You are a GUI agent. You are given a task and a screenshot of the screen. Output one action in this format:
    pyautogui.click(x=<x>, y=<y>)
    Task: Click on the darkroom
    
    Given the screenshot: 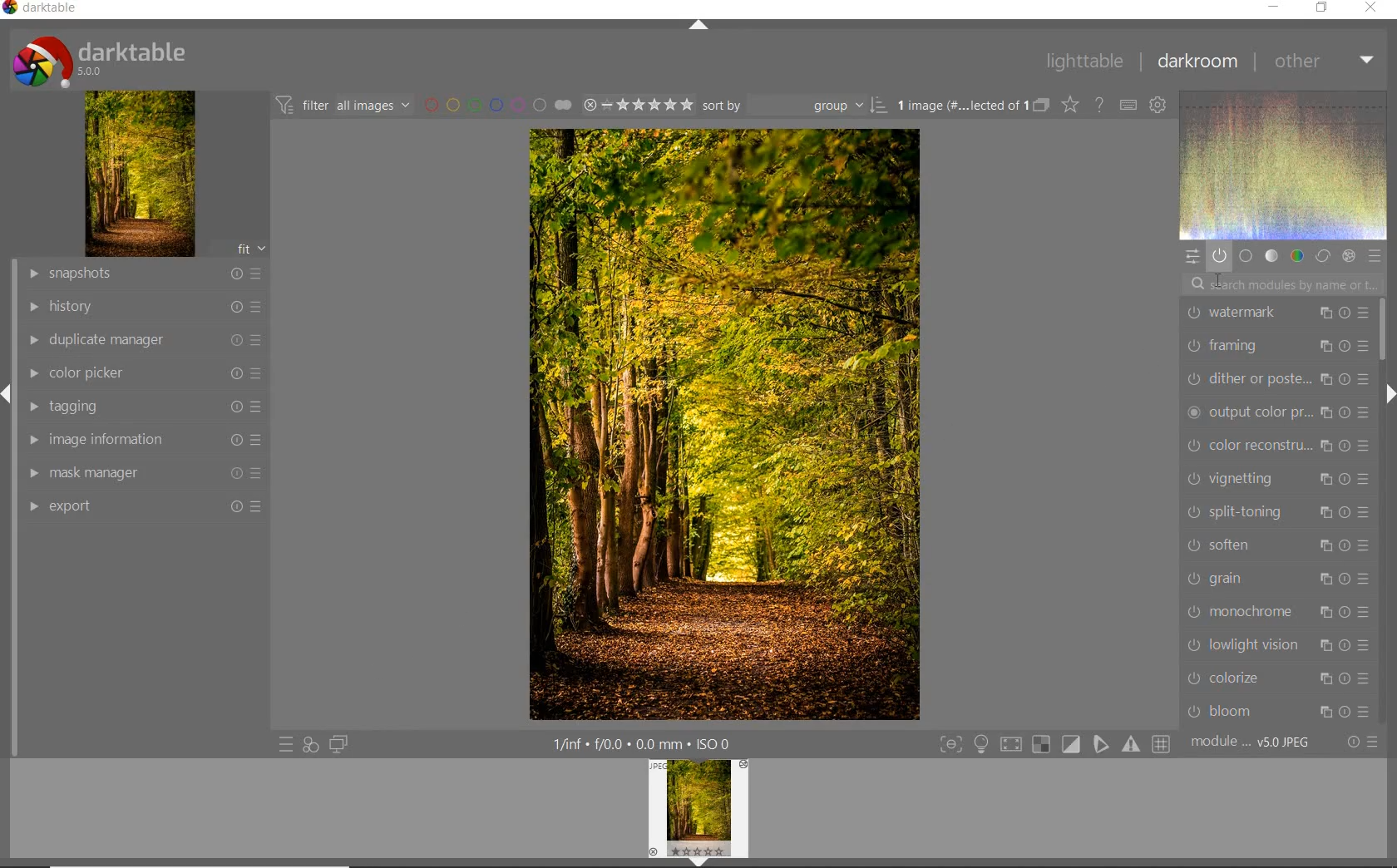 What is the action you would take?
    pyautogui.click(x=1198, y=61)
    